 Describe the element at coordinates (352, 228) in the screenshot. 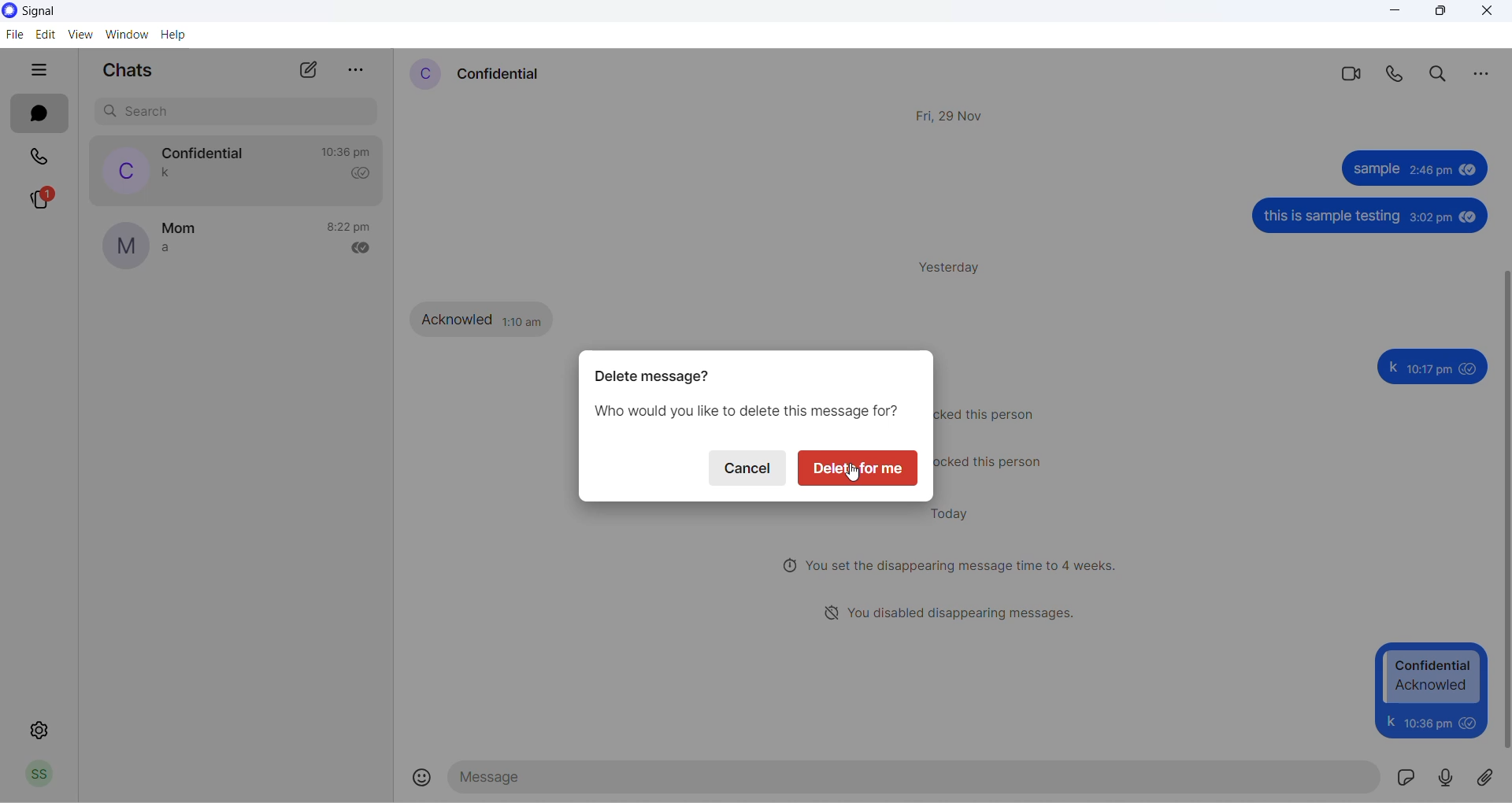

I see `last message time` at that location.